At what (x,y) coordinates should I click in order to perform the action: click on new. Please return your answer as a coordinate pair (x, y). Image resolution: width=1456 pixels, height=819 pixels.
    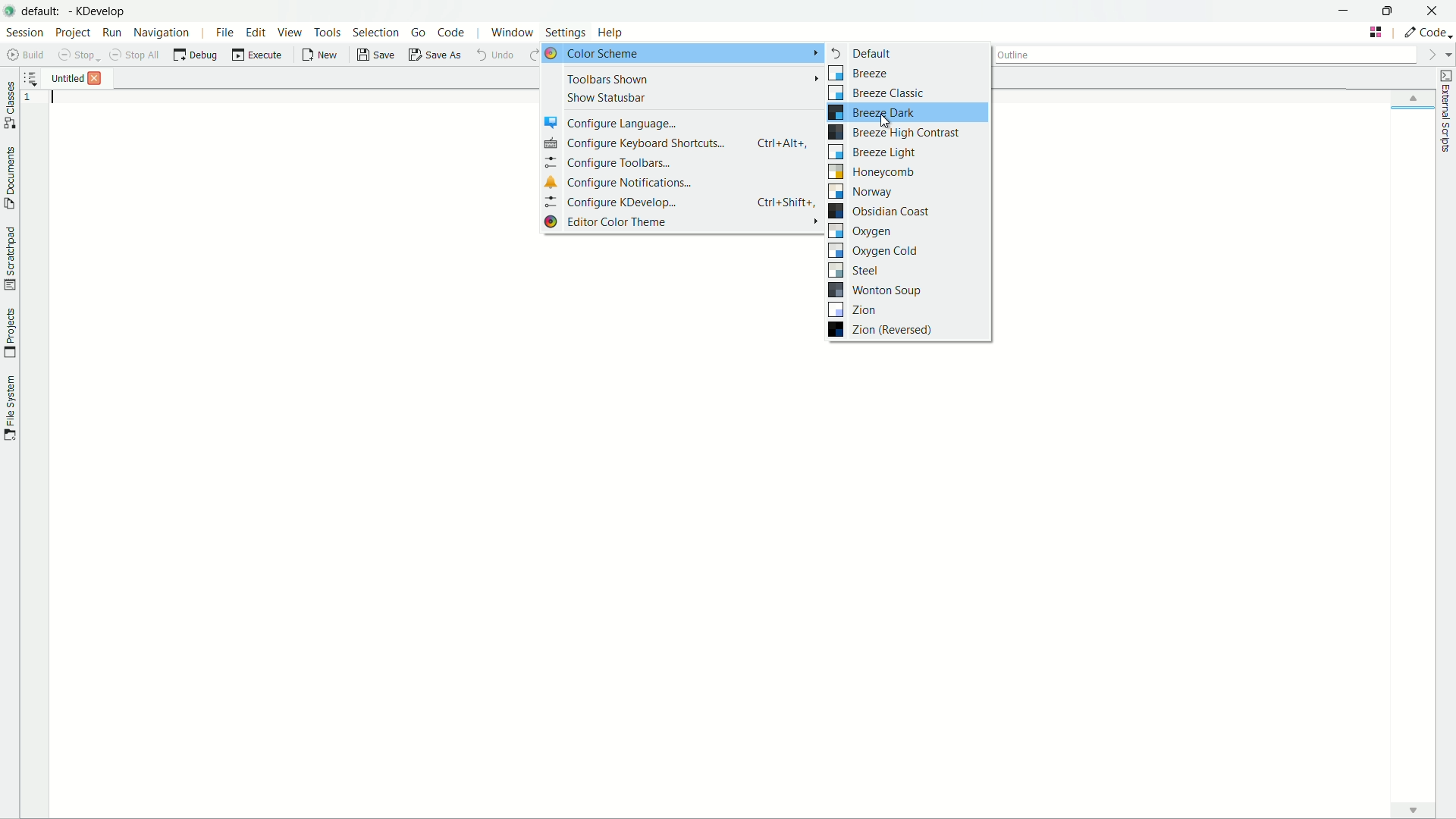
    Looking at the image, I should click on (322, 55).